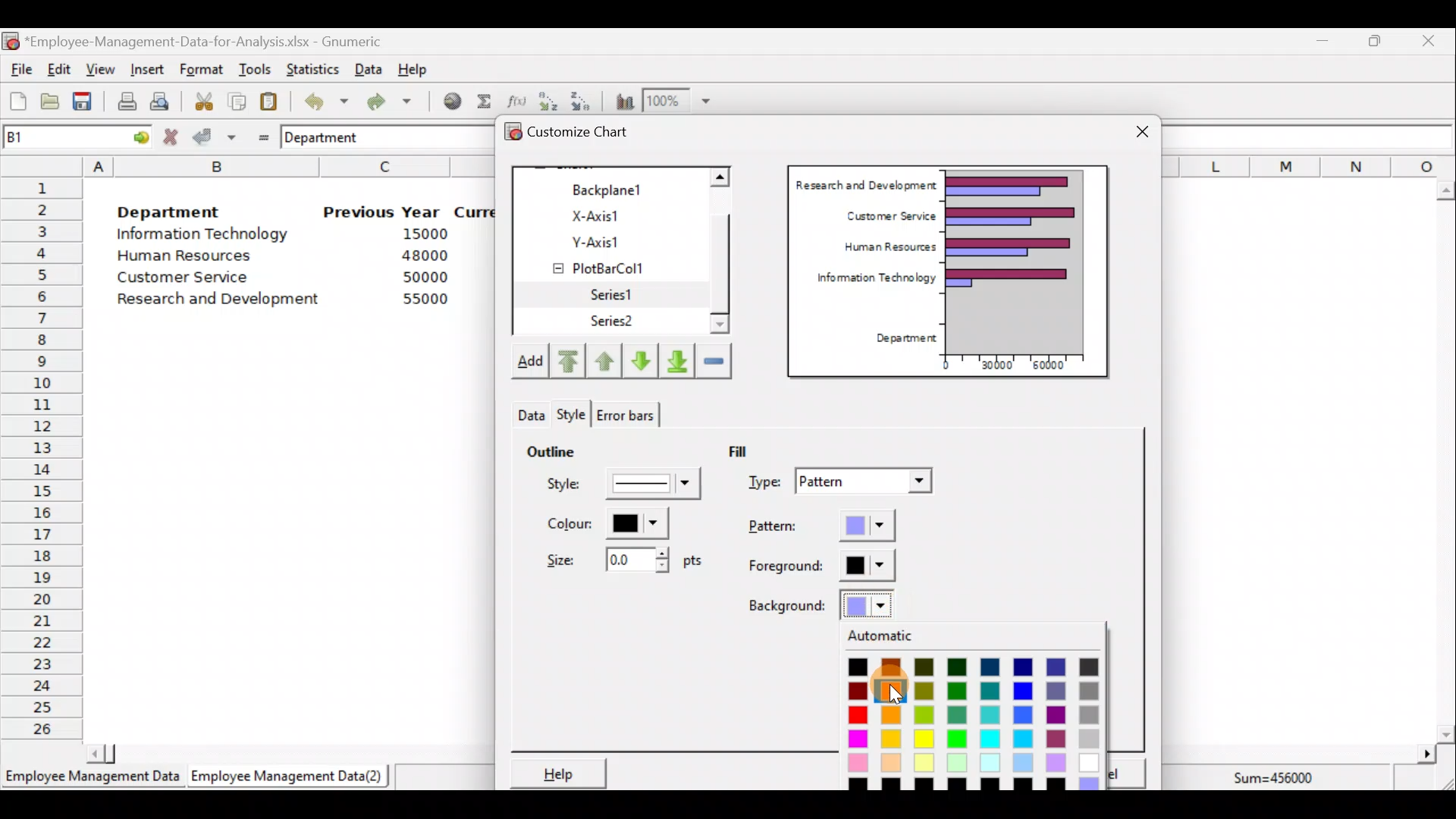 The height and width of the screenshot is (819, 1456). I want to click on Cursor on red orange color, so click(895, 697).